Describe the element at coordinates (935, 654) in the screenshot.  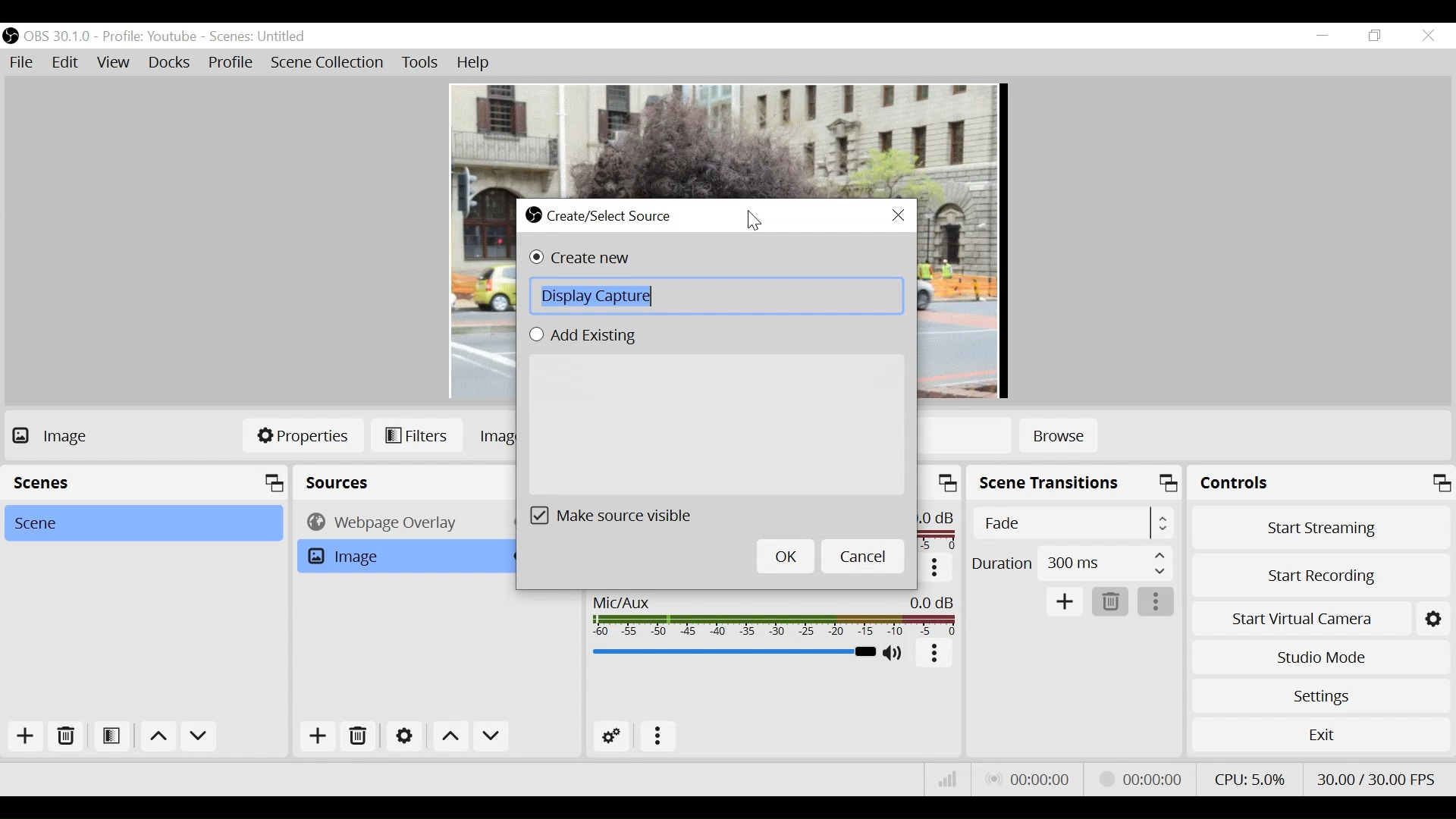
I see `more options` at that location.